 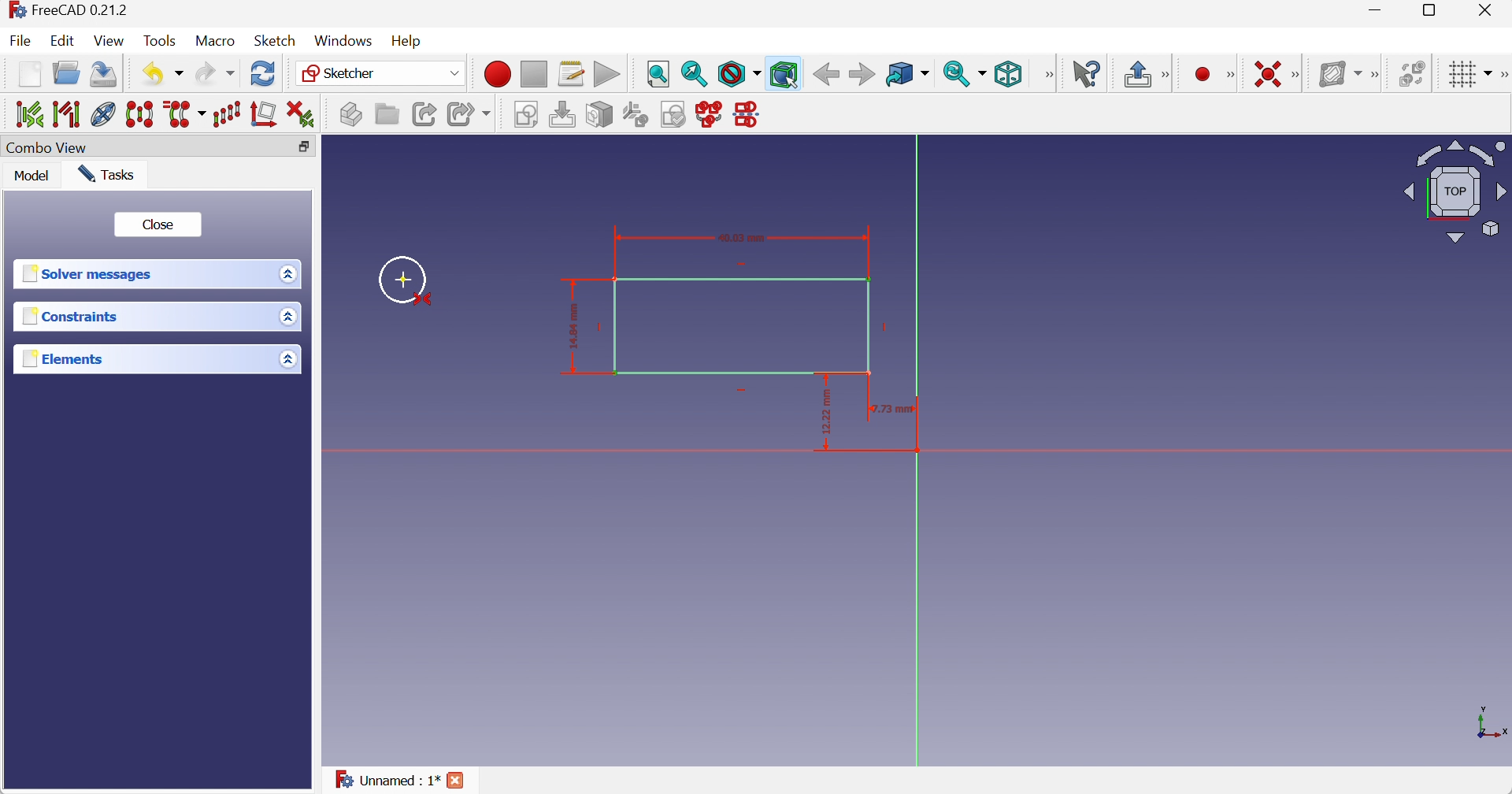 I want to click on Undo, so click(x=165, y=75).